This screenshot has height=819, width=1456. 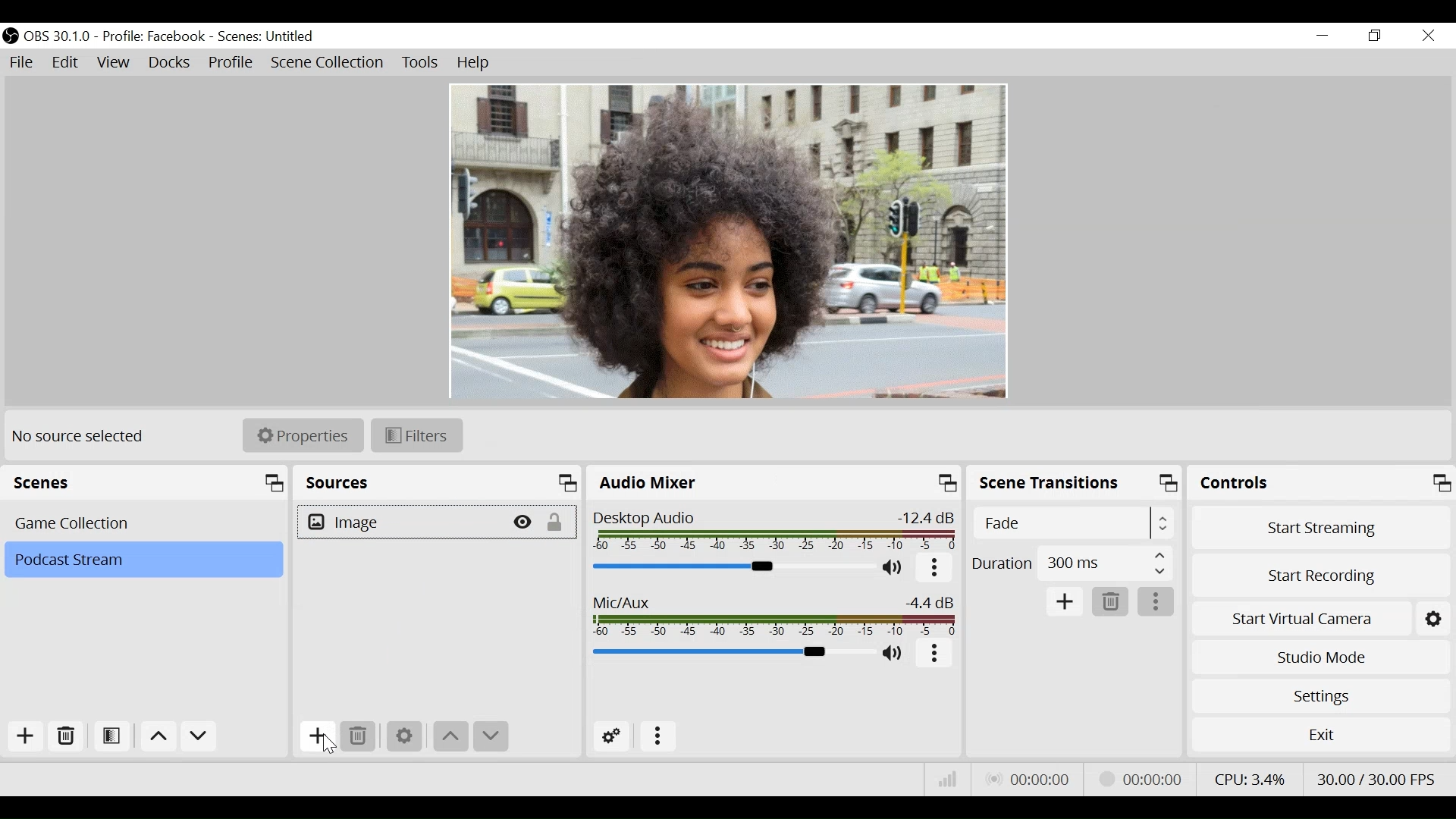 I want to click on Bitrate, so click(x=948, y=780).